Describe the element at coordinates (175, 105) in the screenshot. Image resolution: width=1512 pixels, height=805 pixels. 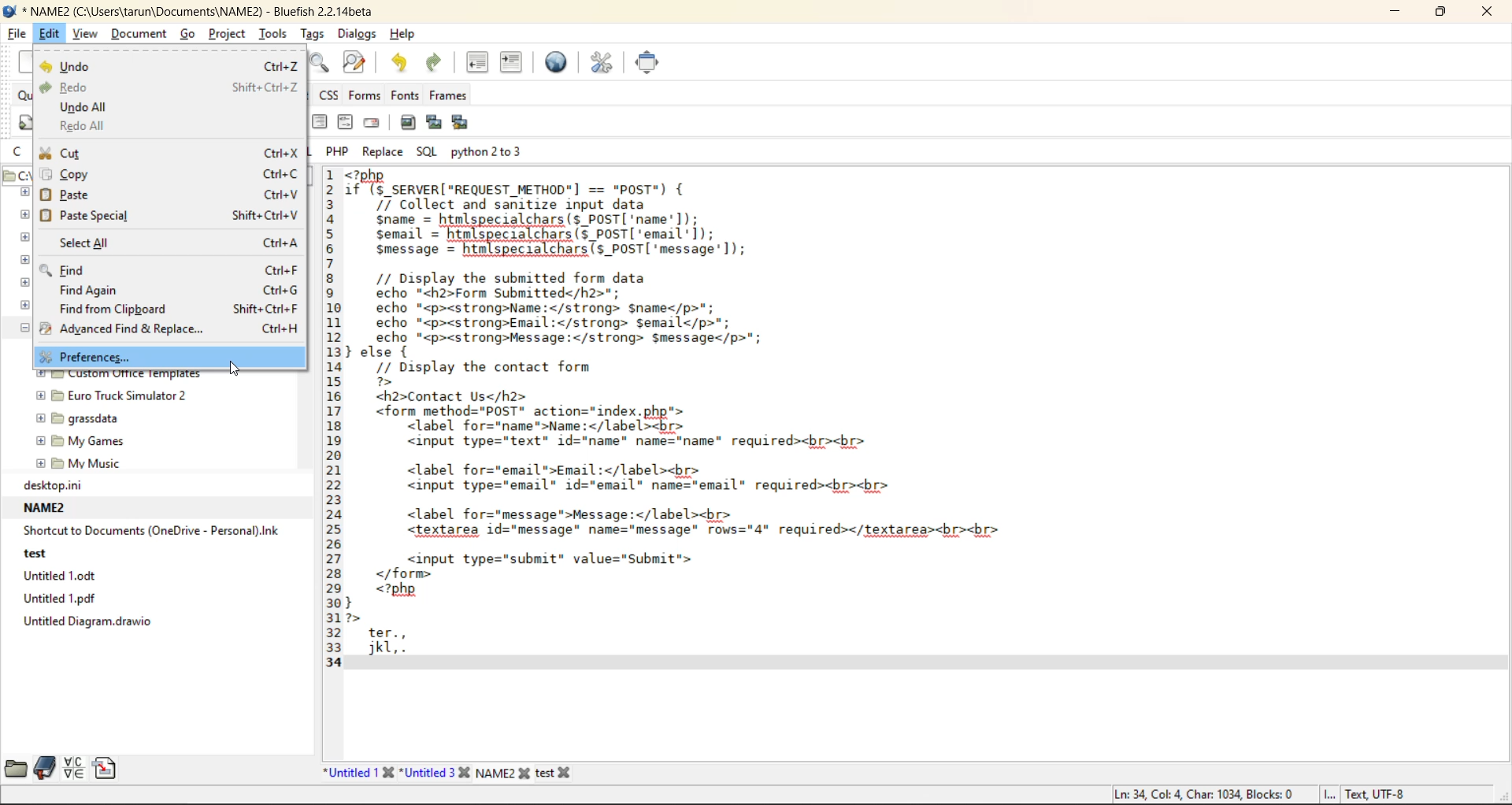
I see `undo all` at that location.